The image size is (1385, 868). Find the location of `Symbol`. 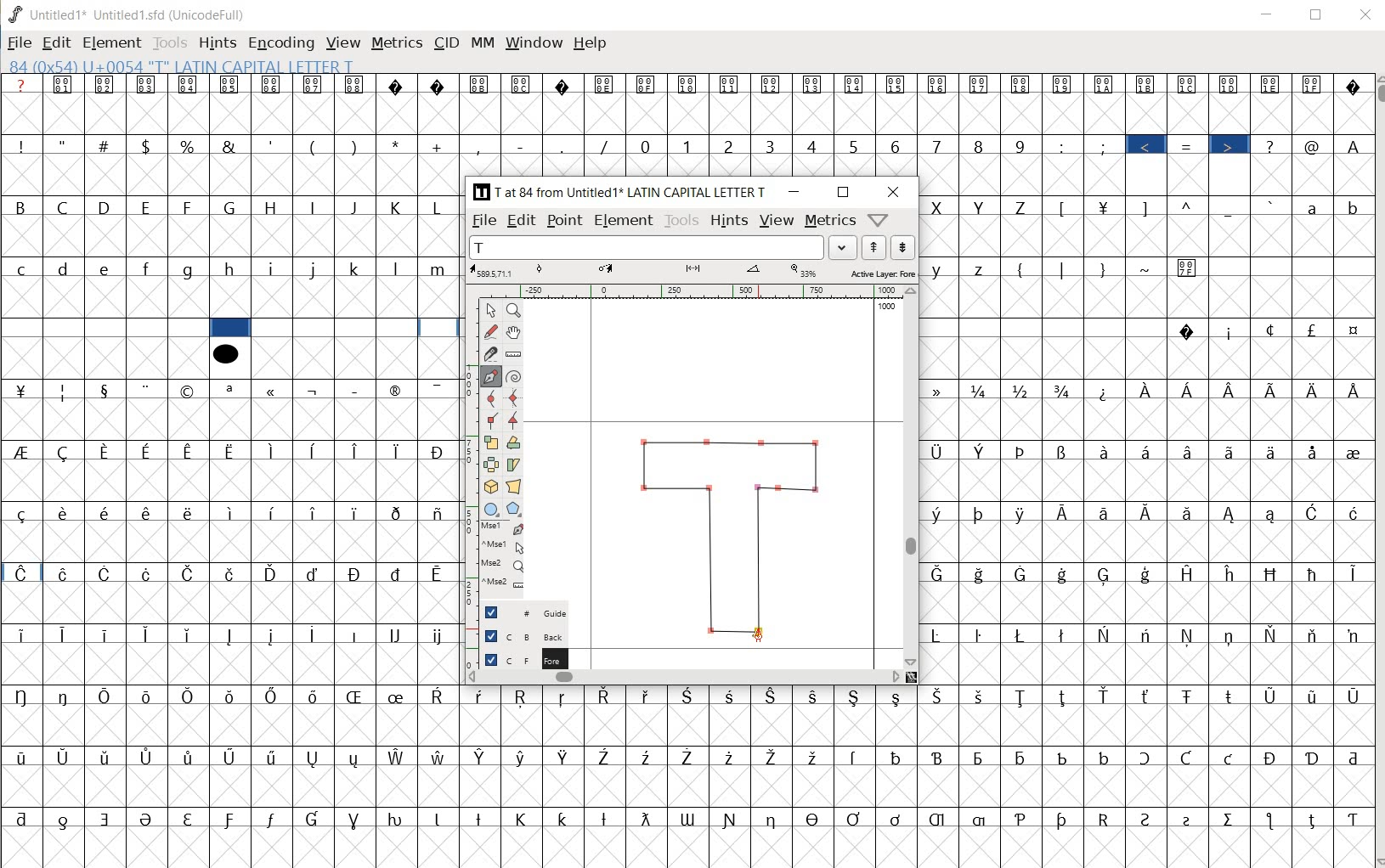

Symbol is located at coordinates (314, 451).